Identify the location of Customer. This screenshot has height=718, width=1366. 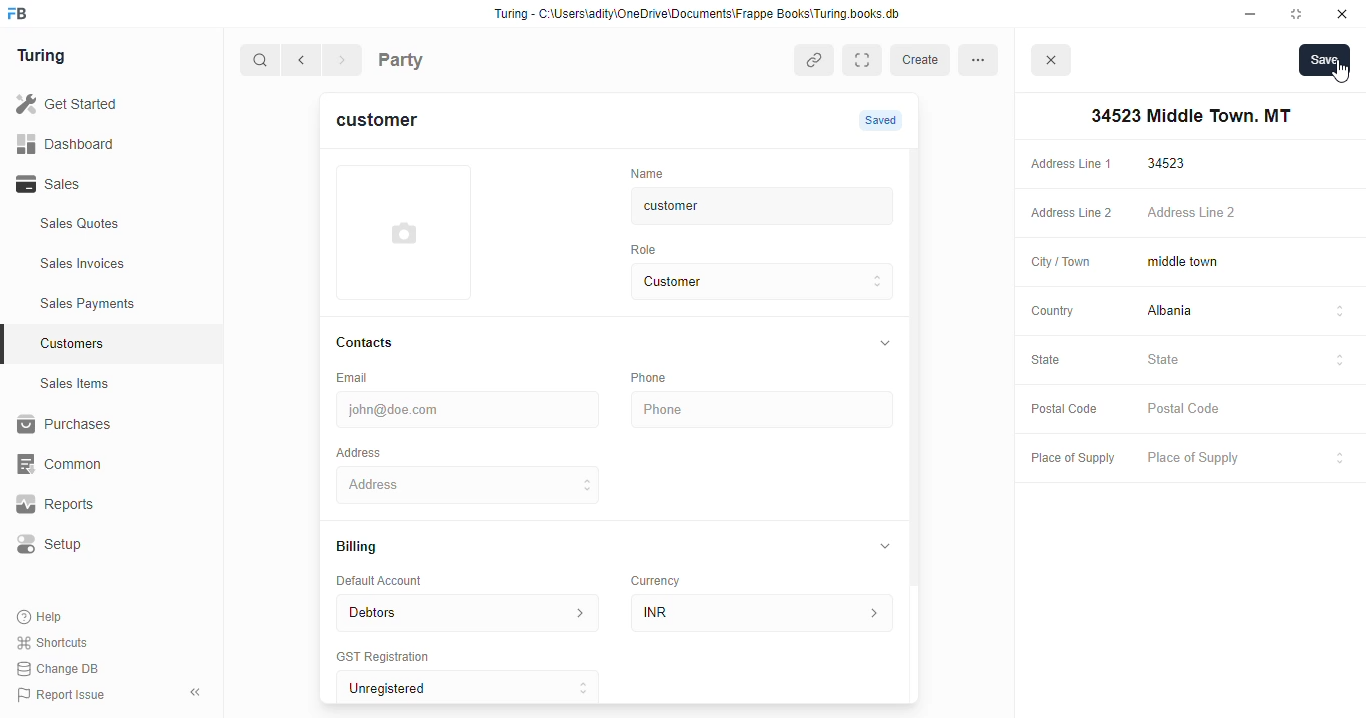
(746, 282).